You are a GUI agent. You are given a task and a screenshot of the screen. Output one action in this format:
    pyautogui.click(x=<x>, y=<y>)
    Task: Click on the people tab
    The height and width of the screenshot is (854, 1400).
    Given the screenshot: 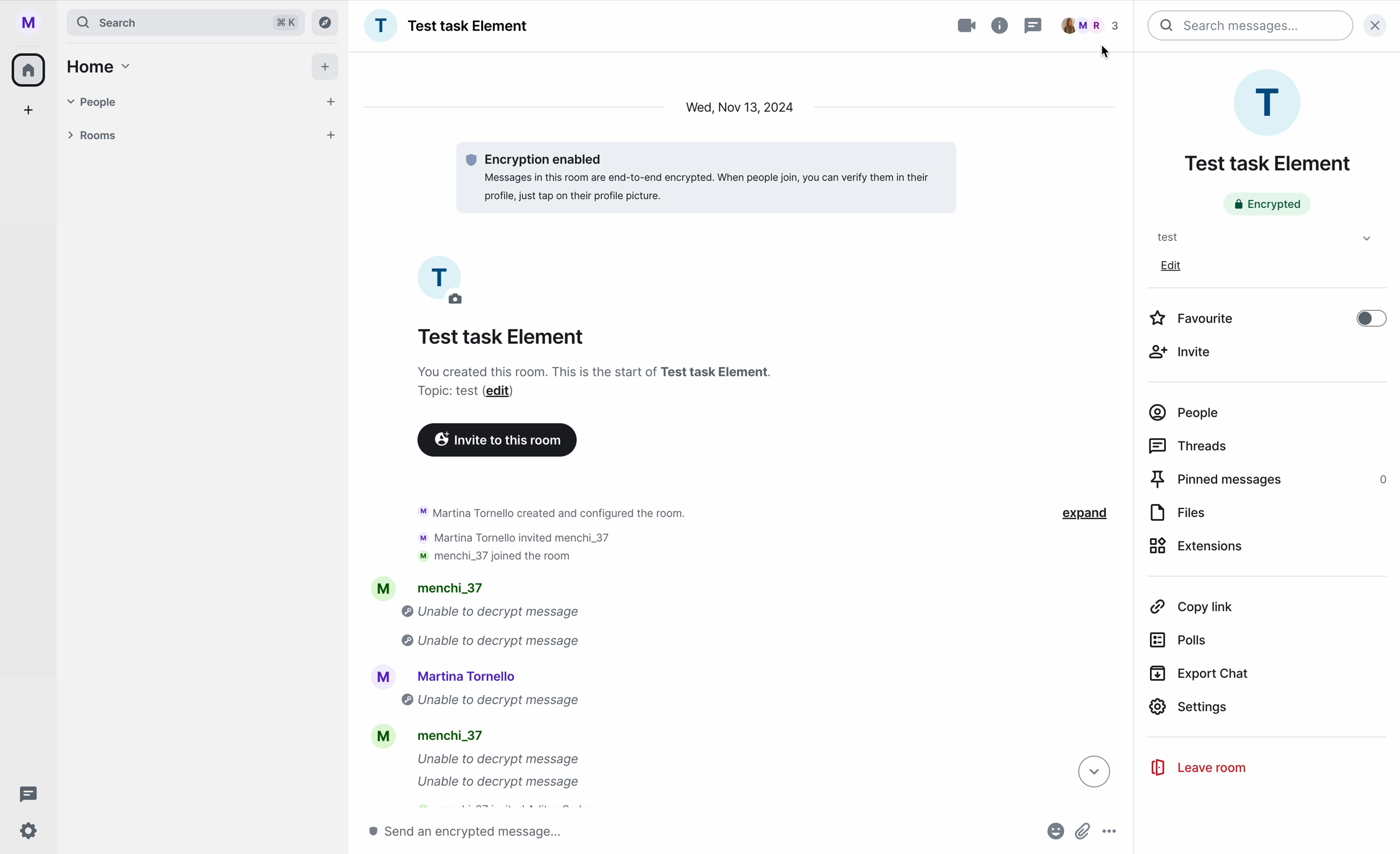 What is the action you would take?
    pyautogui.click(x=206, y=102)
    